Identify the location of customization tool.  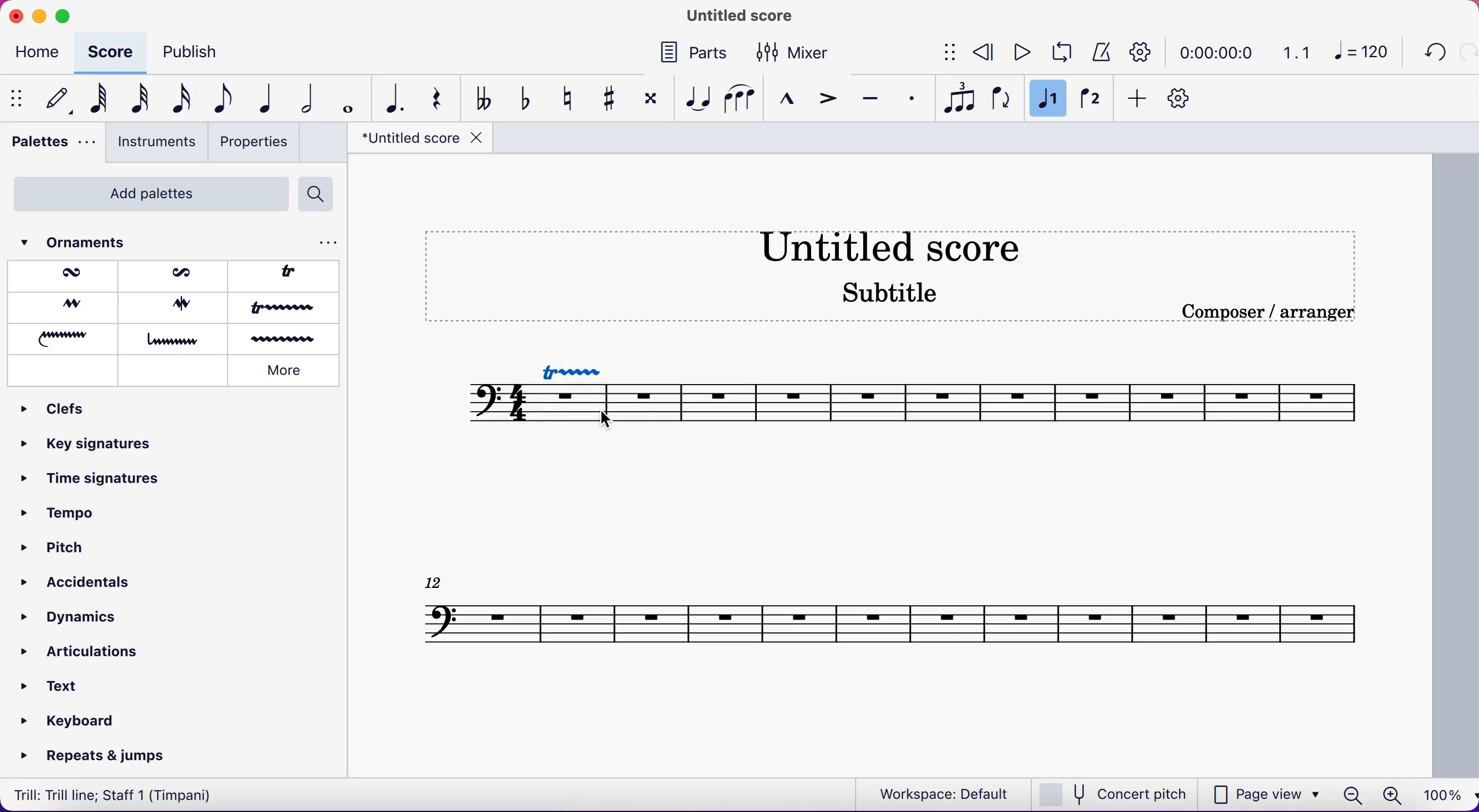
(1185, 99).